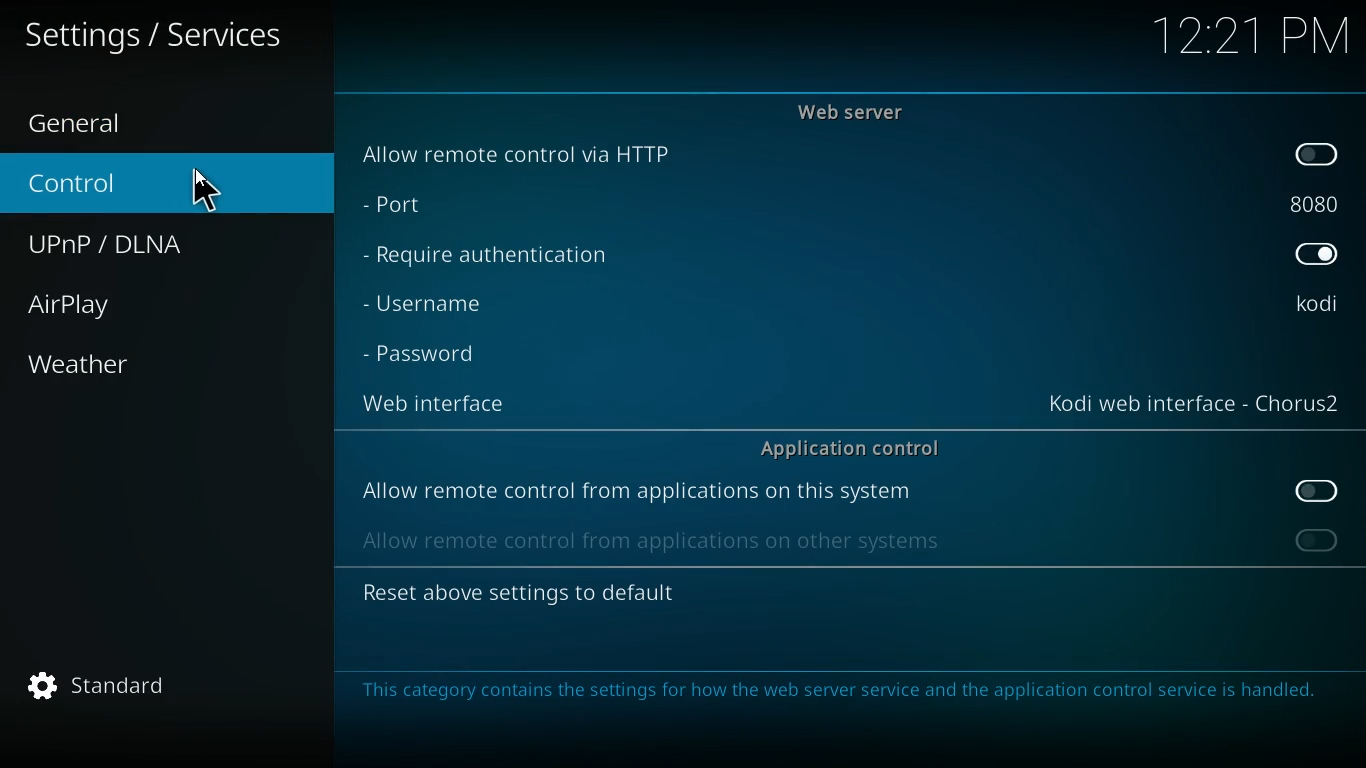 The width and height of the screenshot is (1366, 768). Describe the element at coordinates (520, 153) in the screenshot. I see `allow remote control via http` at that location.